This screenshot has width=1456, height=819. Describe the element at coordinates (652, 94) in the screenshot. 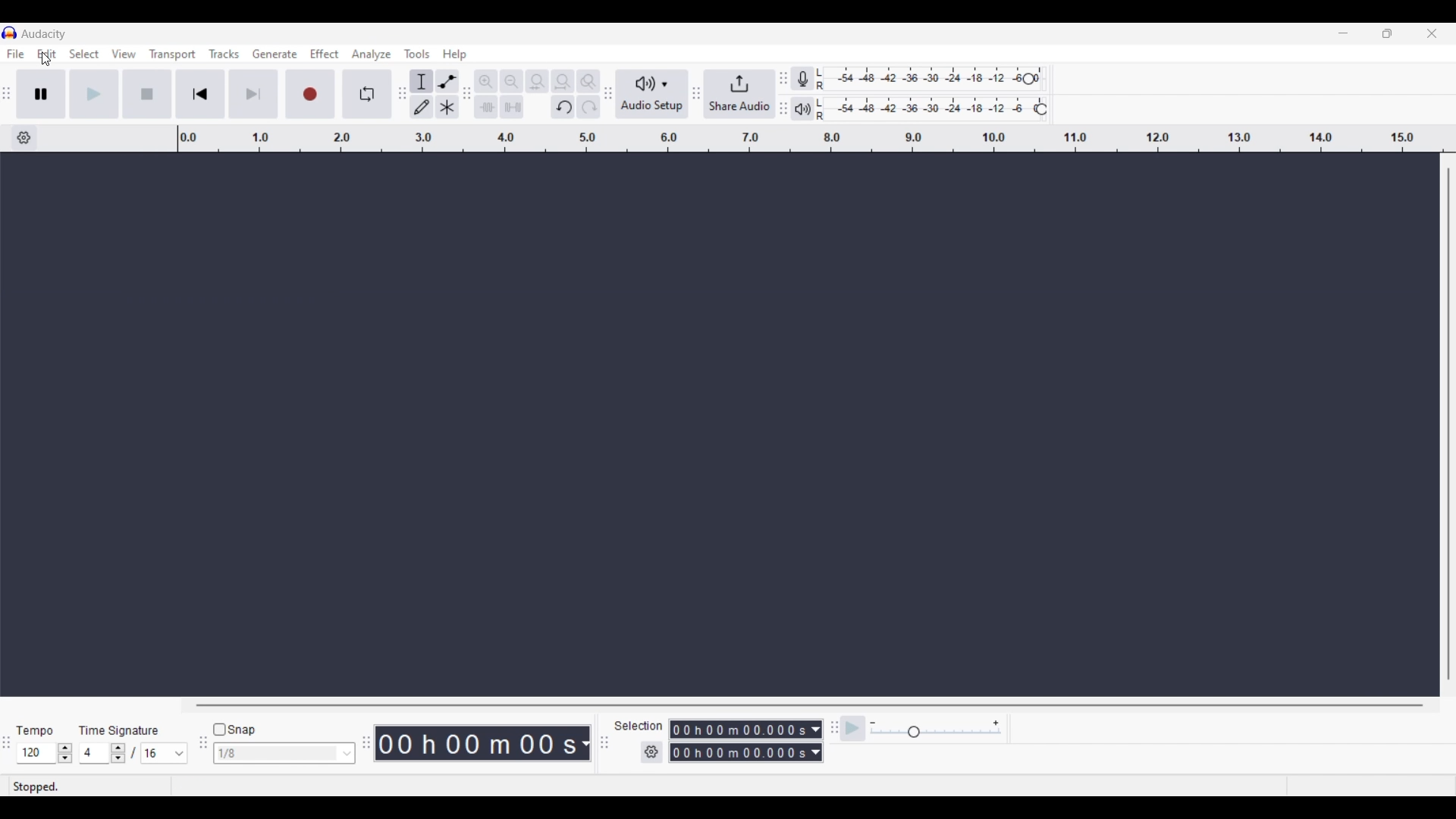

I see `Audio setup` at that location.